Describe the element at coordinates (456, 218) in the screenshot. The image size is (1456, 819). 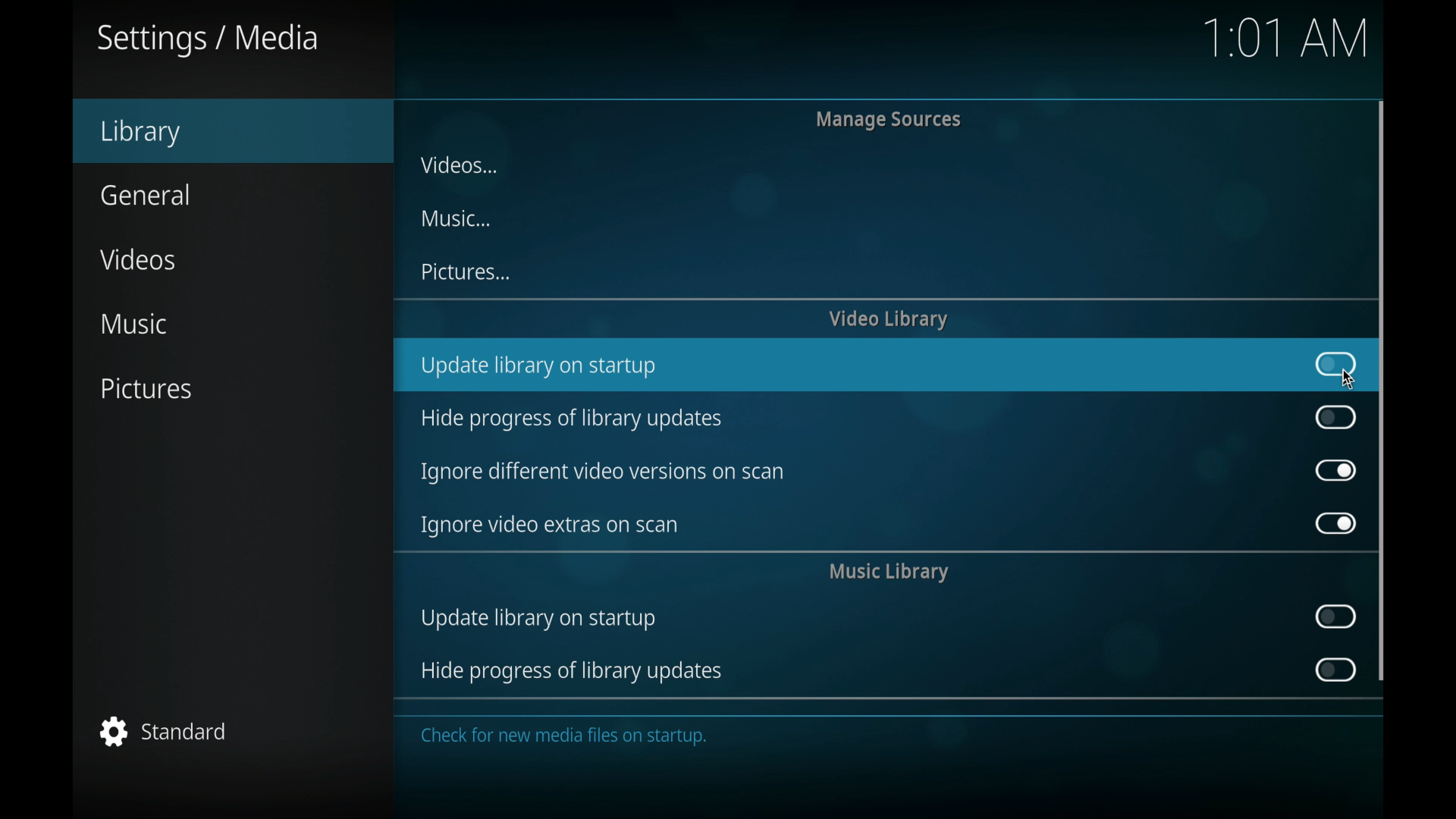
I see `music` at that location.